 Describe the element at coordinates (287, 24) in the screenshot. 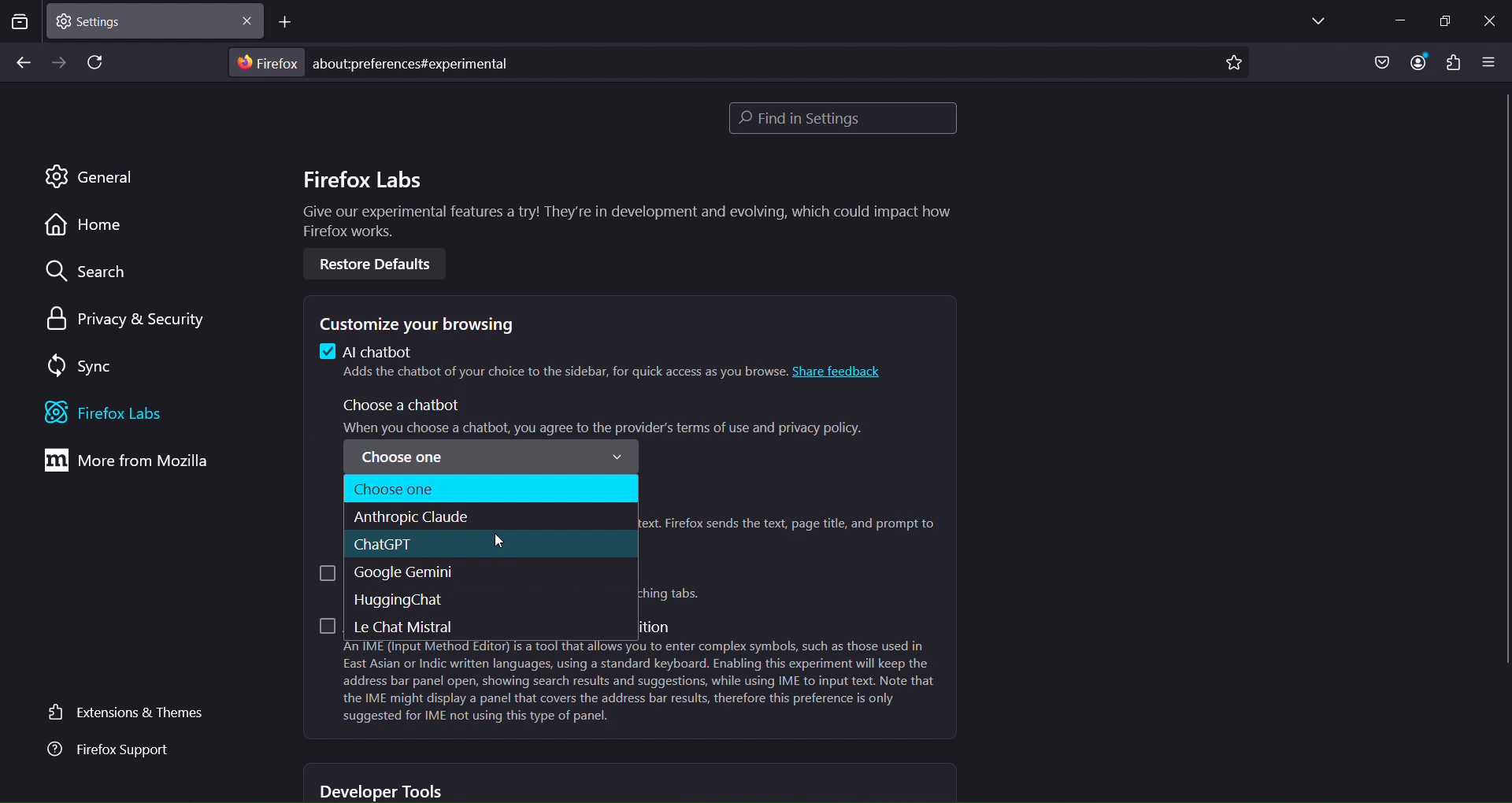

I see `new tab` at that location.